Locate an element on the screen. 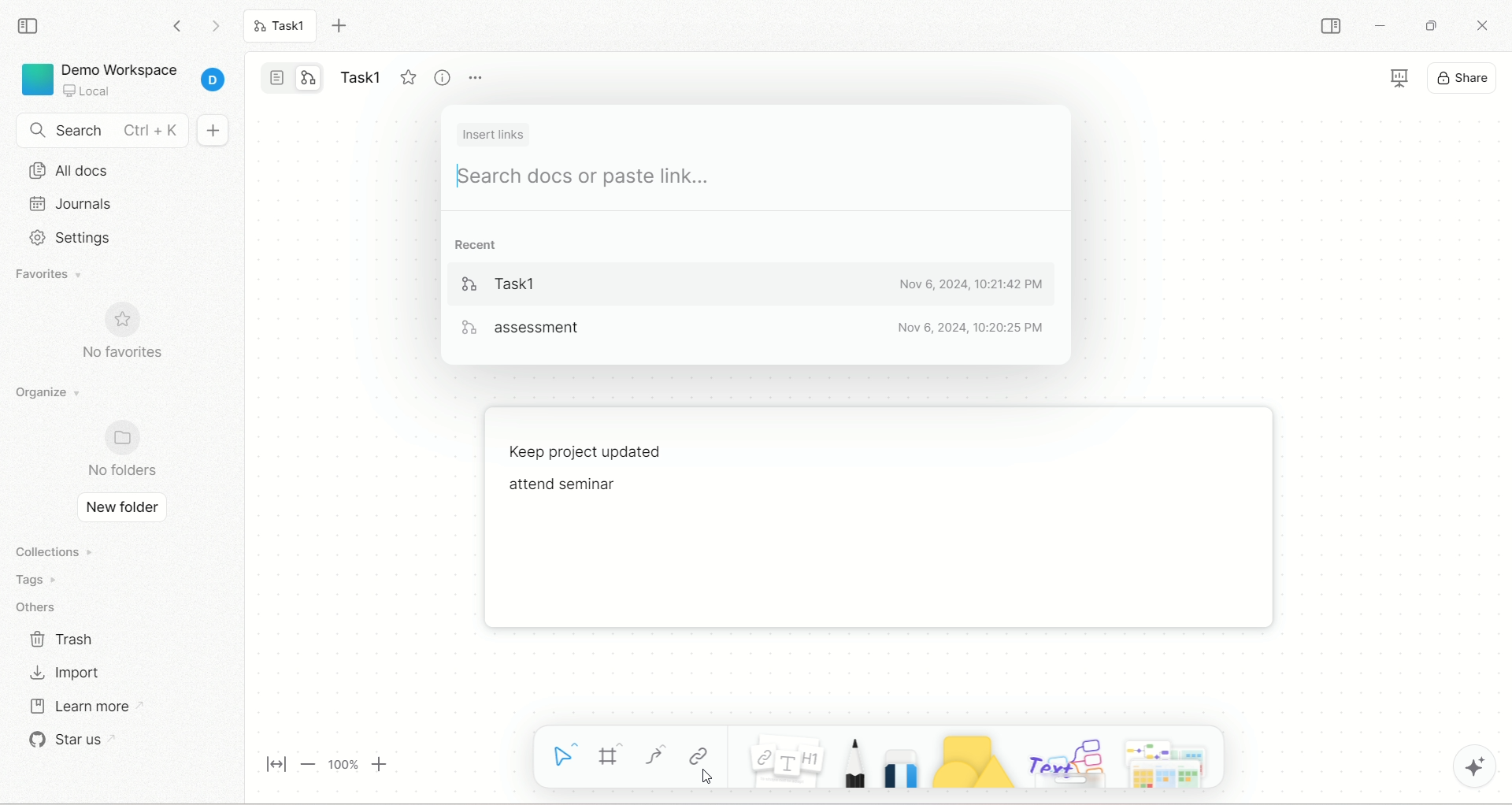 The width and height of the screenshot is (1512, 805). close is located at coordinates (1480, 24).